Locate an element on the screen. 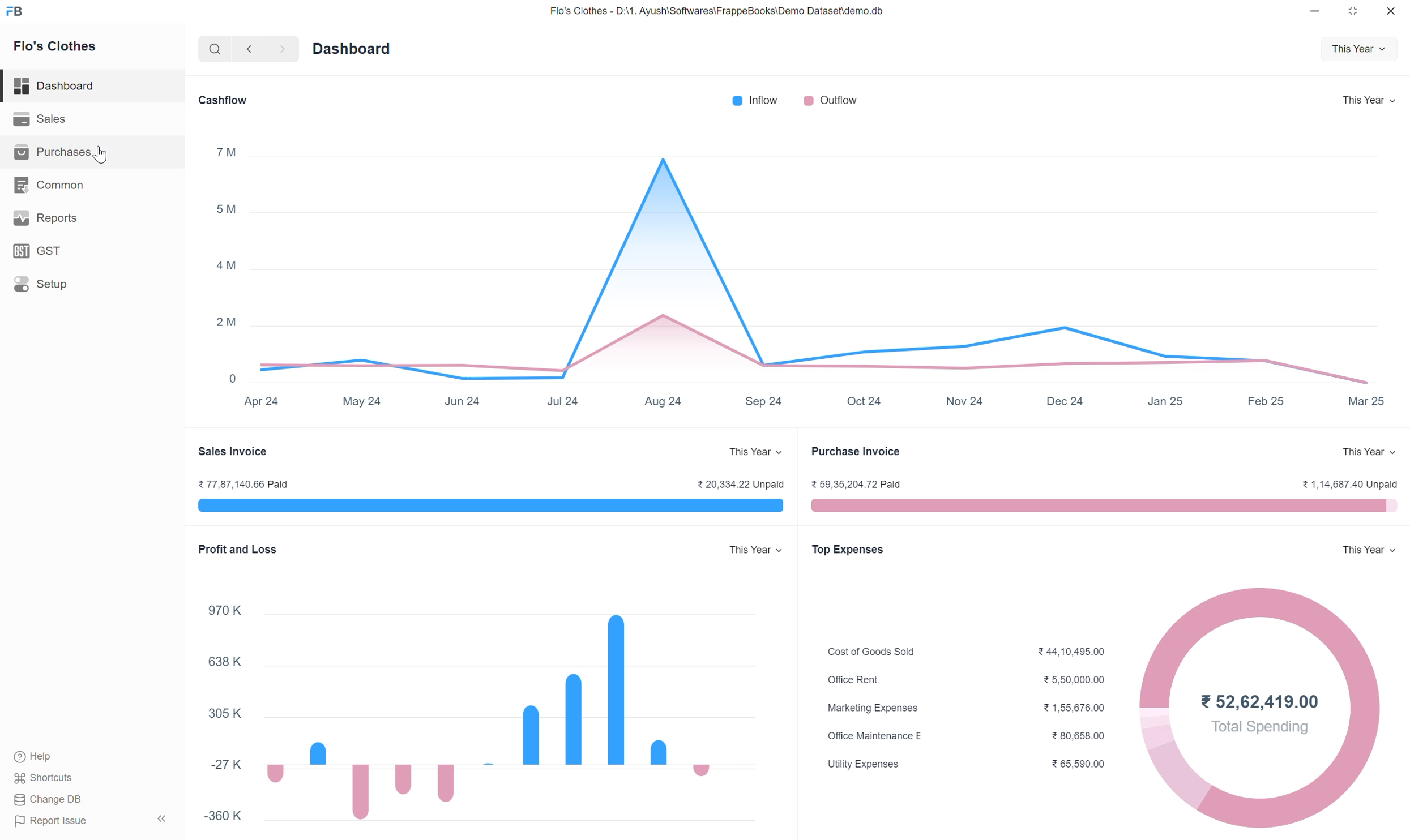 The image size is (1410, 840). office rent is located at coordinates (854, 680).